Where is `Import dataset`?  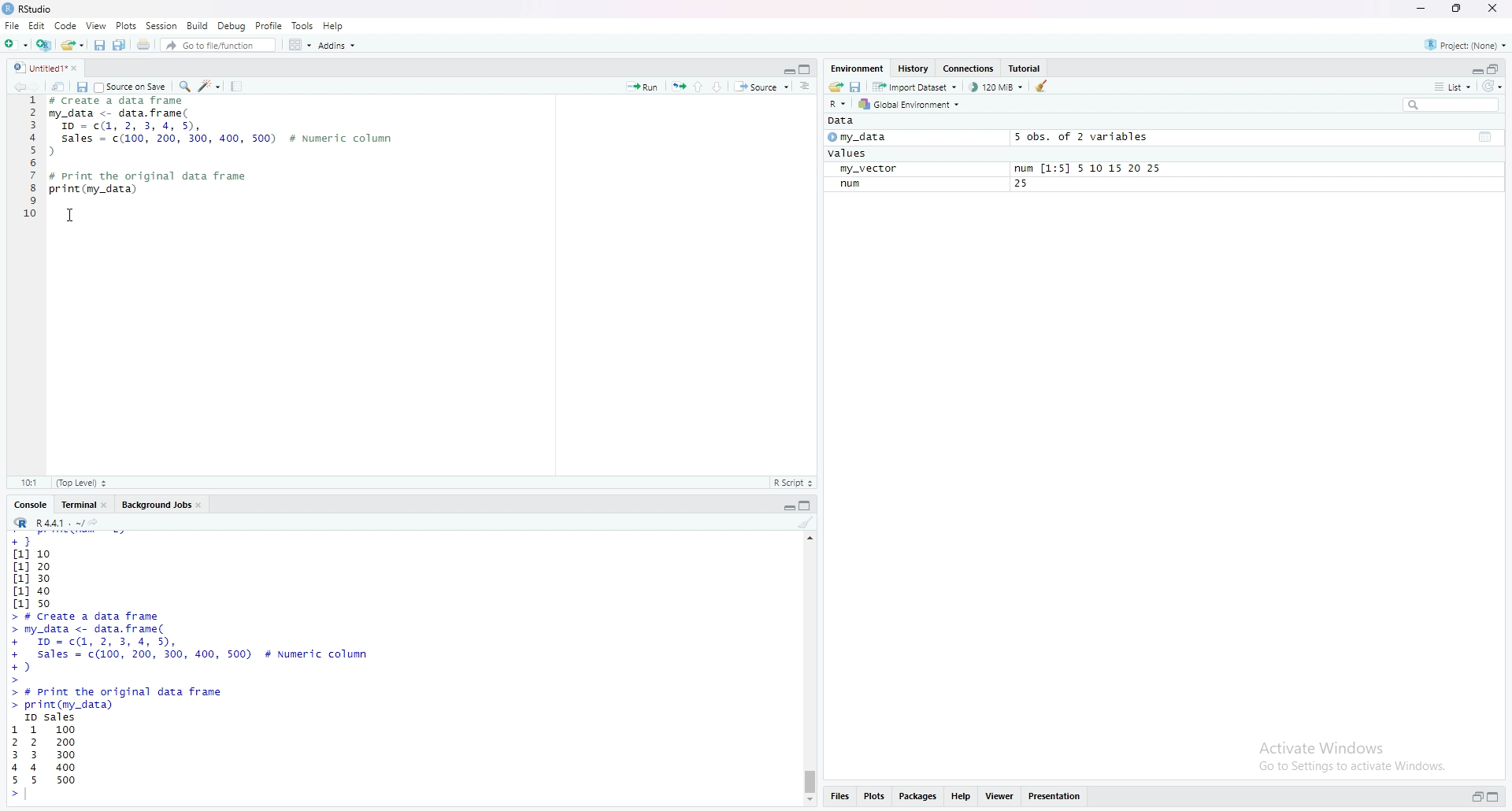
Import dataset is located at coordinates (918, 87).